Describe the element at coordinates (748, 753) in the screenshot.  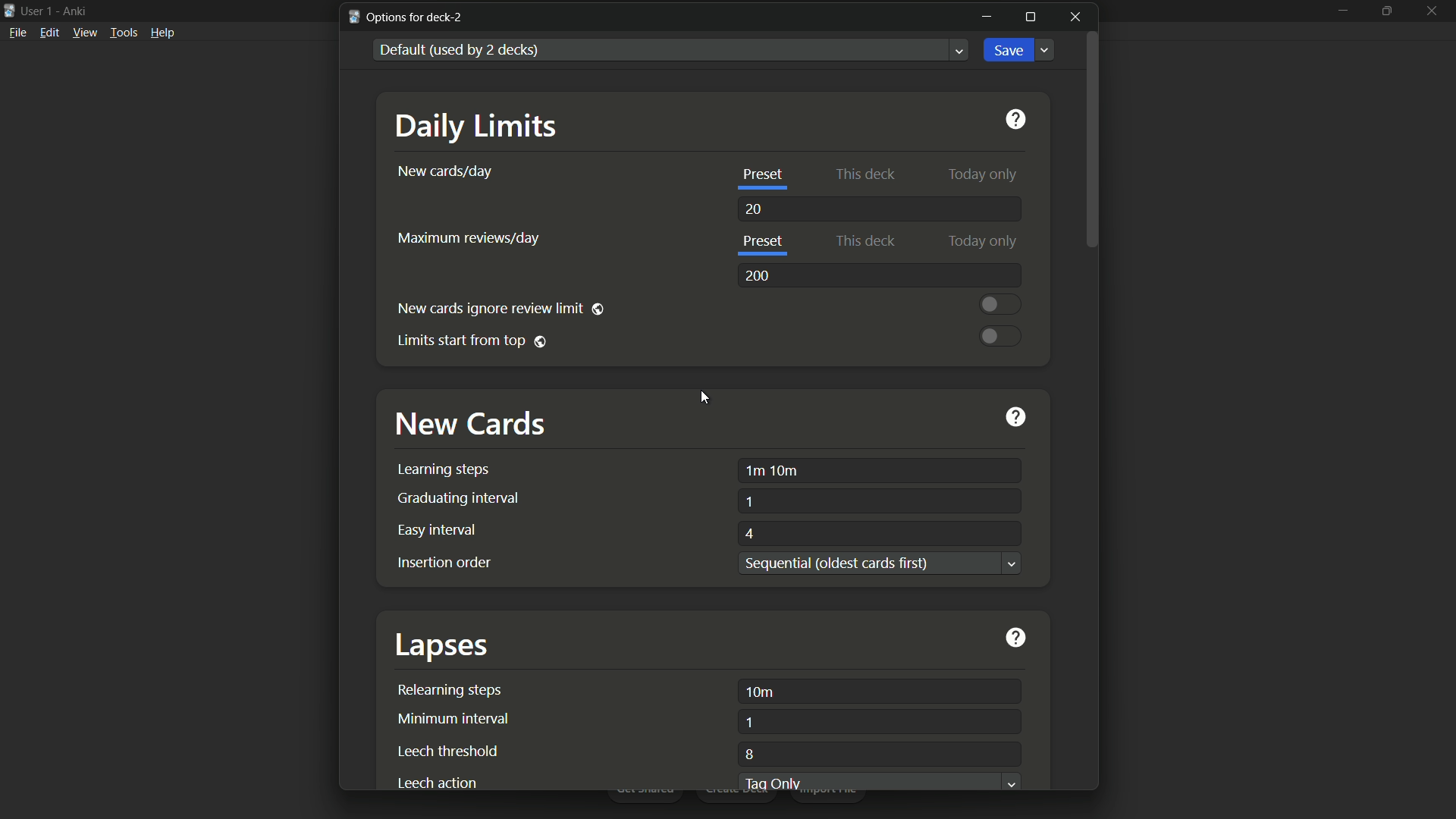
I see `8` at that location.